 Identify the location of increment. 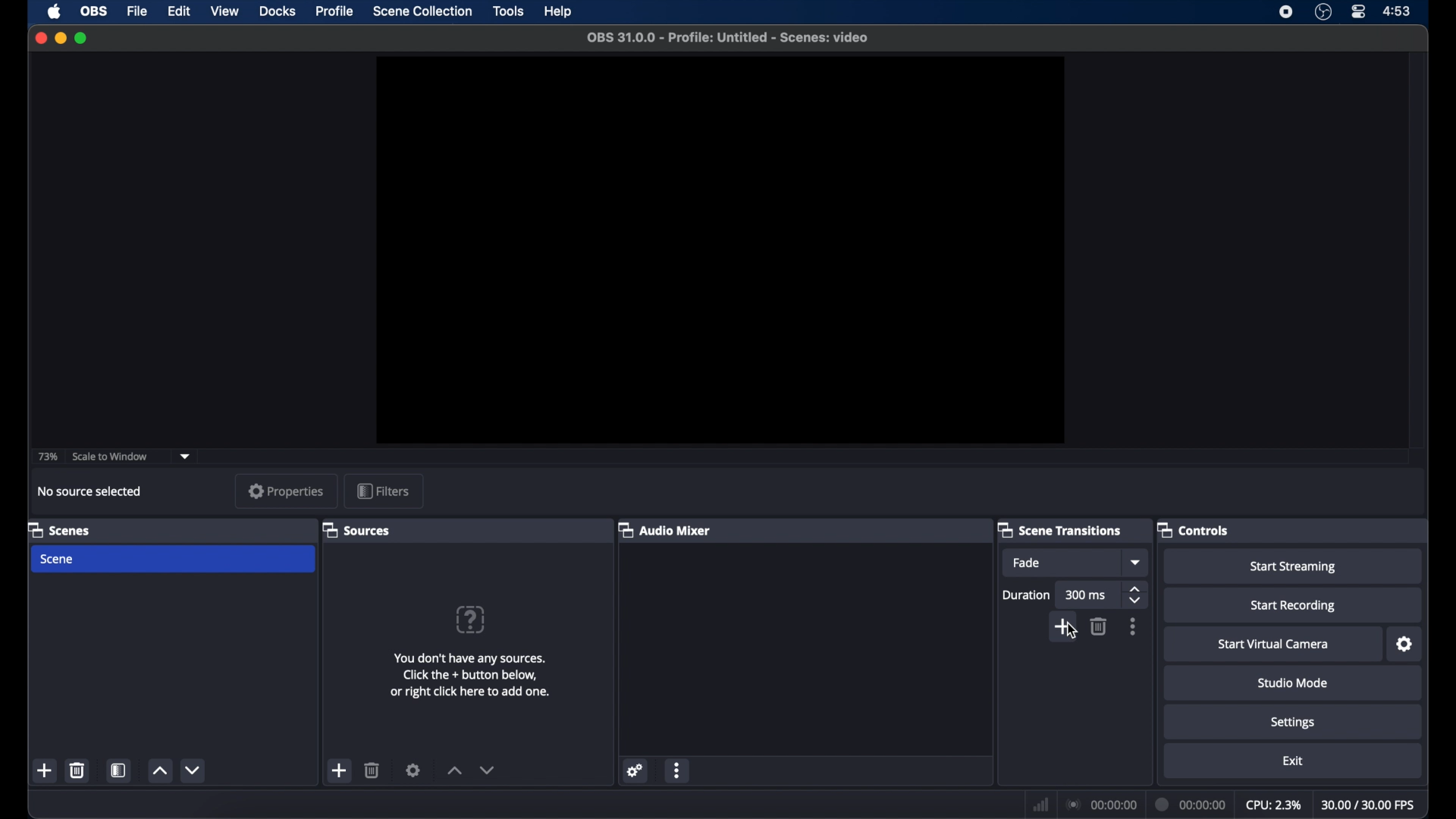
(452, 771).